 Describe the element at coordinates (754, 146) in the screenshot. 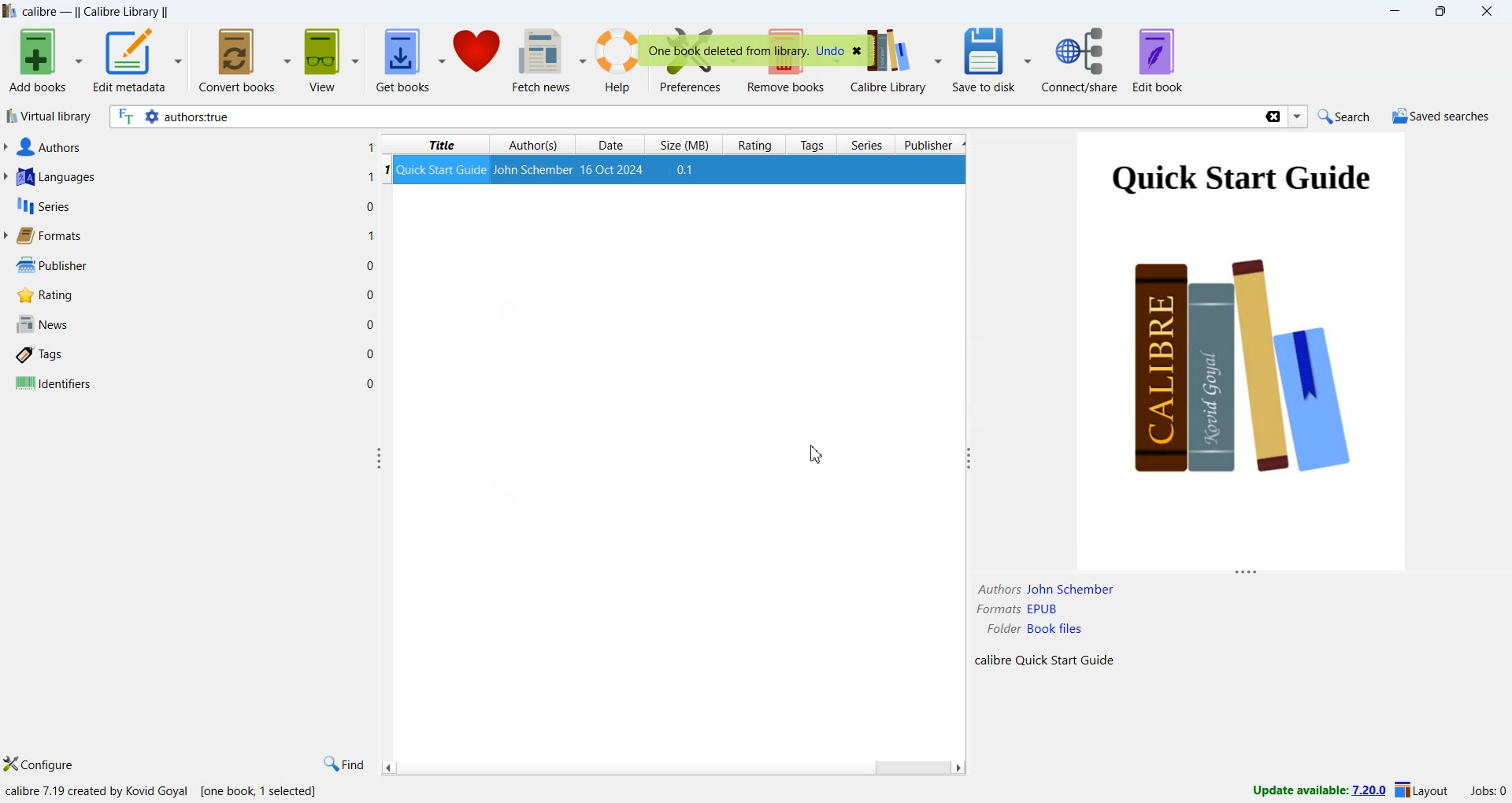

I see `rating` at that location.